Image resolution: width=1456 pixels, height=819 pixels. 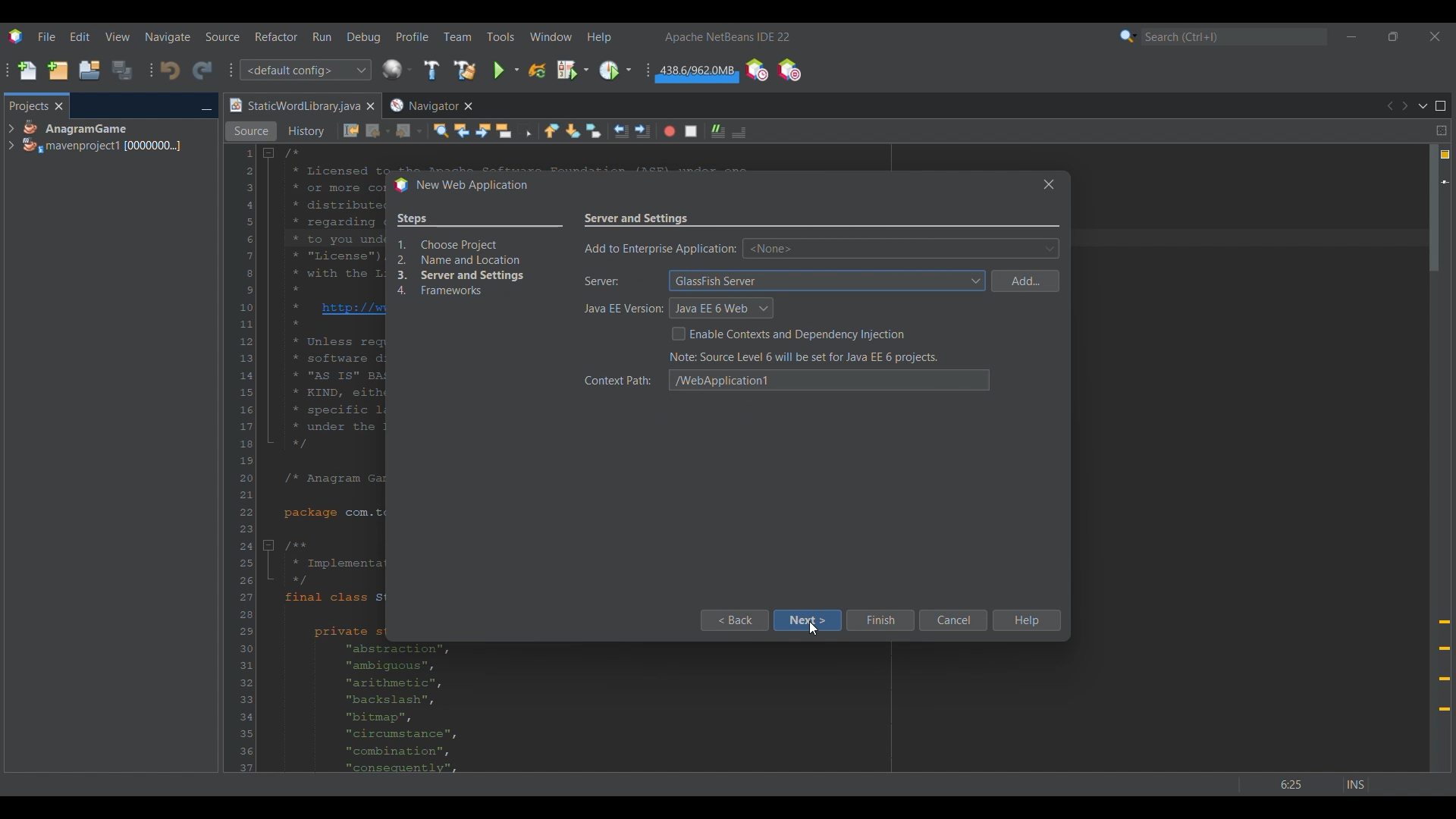 What do you see at coordinates (1351, 36) in the screenshot?
I see `Minimize` at bounding box center [1351, 36].